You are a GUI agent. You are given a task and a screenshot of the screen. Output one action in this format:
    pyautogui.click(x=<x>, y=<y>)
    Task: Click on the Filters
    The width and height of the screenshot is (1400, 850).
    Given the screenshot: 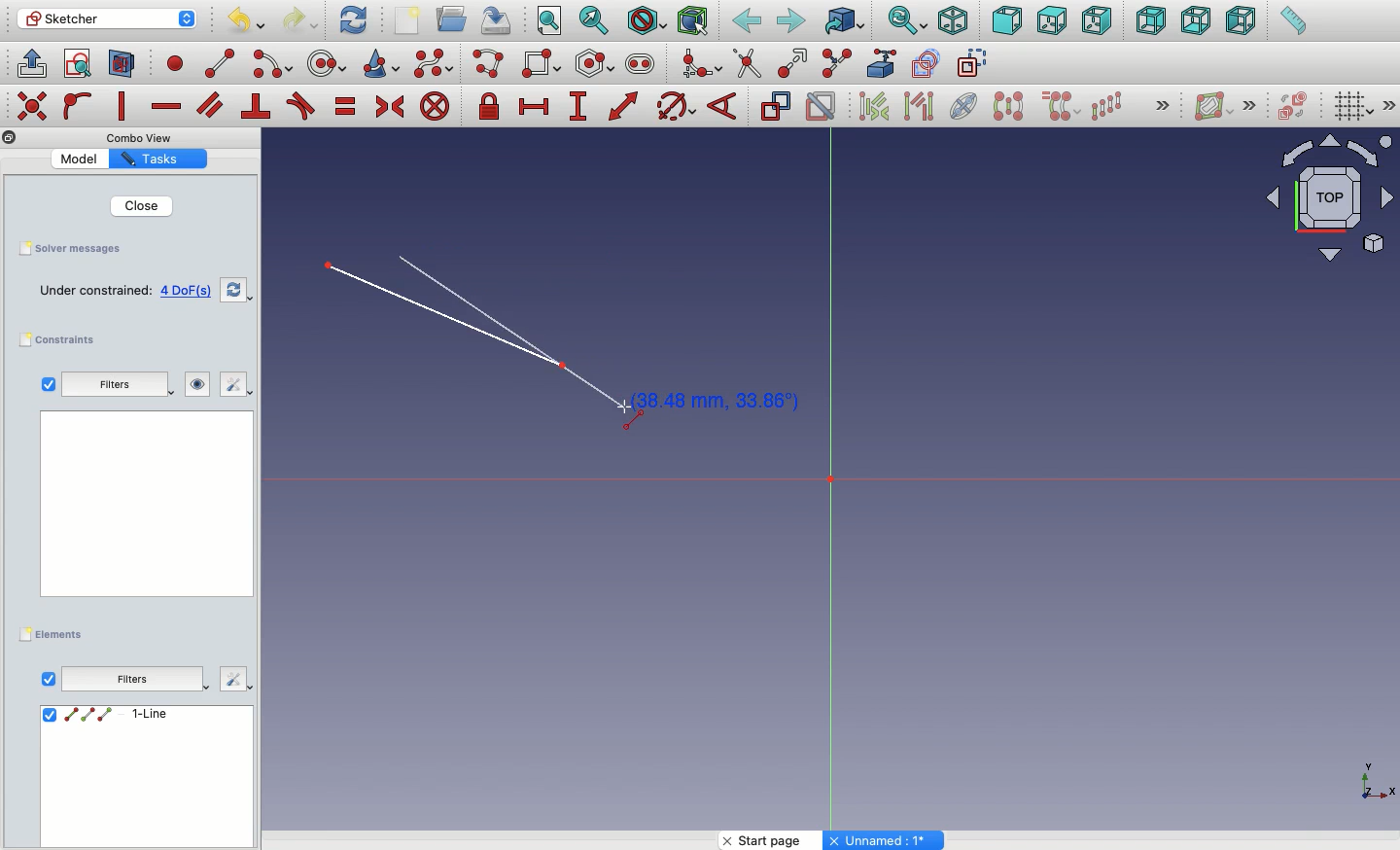 What is the action you would take?
    pyautogui.click(x=109, y=385)
    